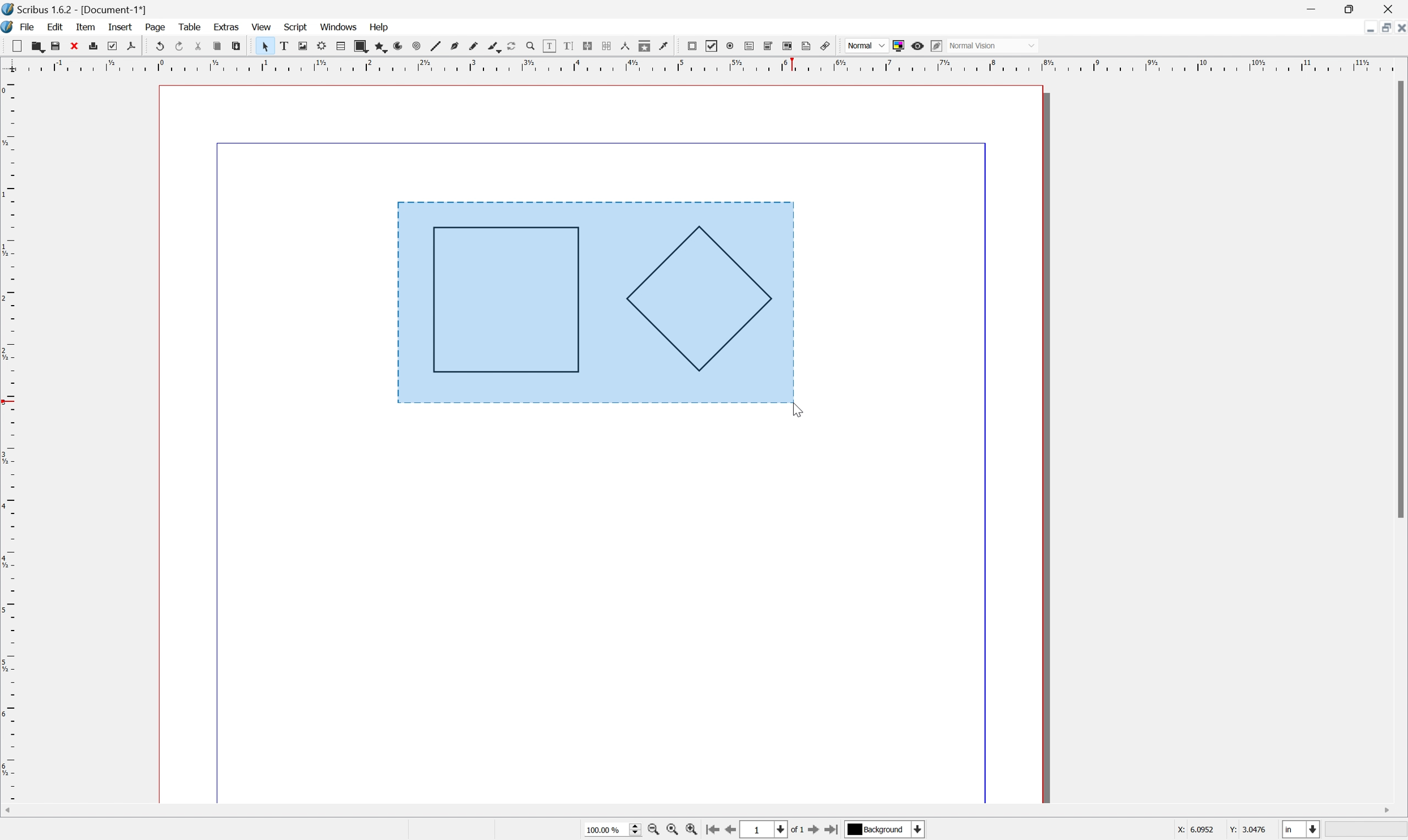 The image size is (1408, 840). What do you see at coordinates (609, 829) in the screenshot?
I see `Select current zoom level` at bounding box center [609, 829].